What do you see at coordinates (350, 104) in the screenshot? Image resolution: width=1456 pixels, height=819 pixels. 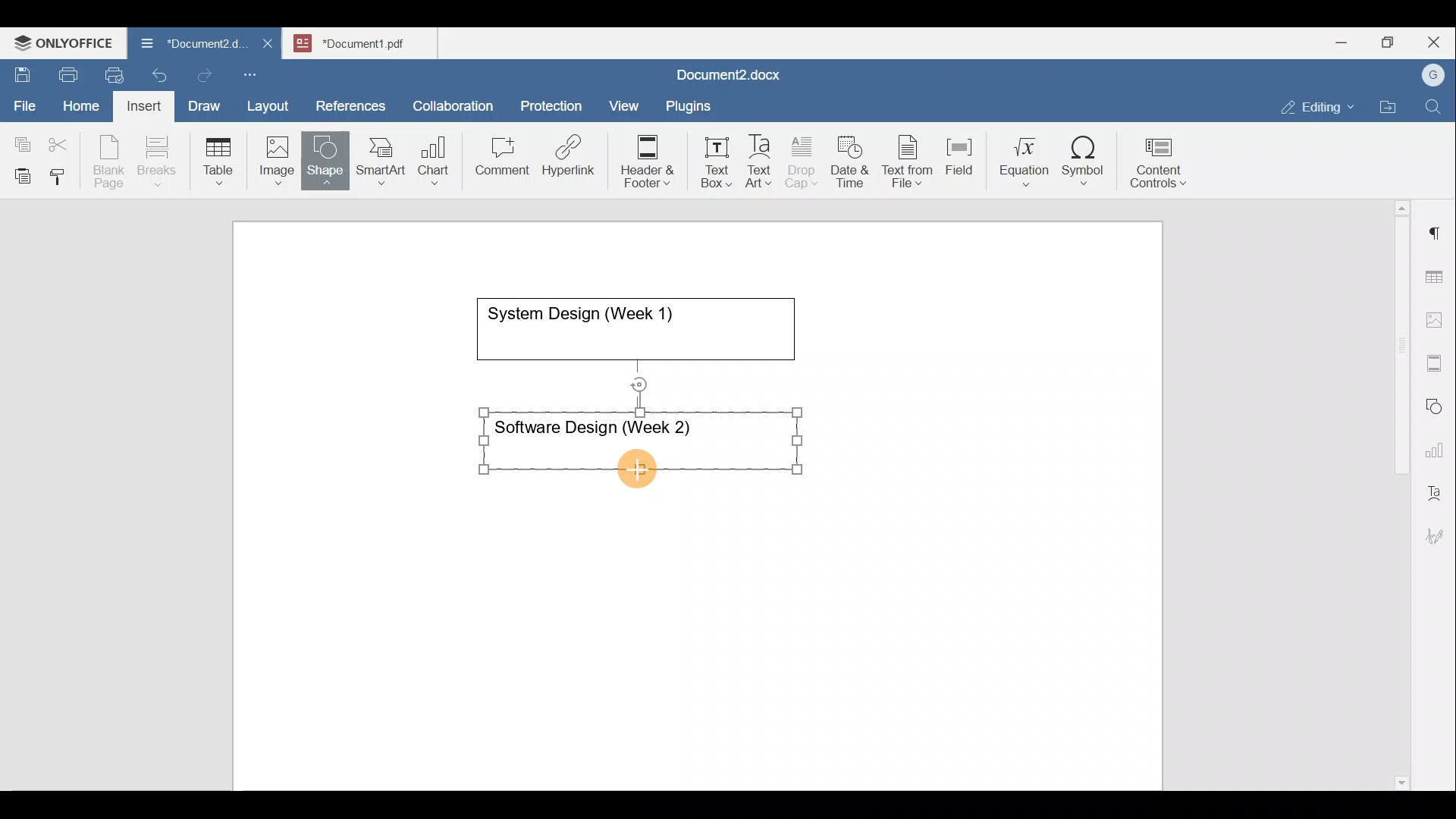 I see `References` at bounding box center [350, 104].